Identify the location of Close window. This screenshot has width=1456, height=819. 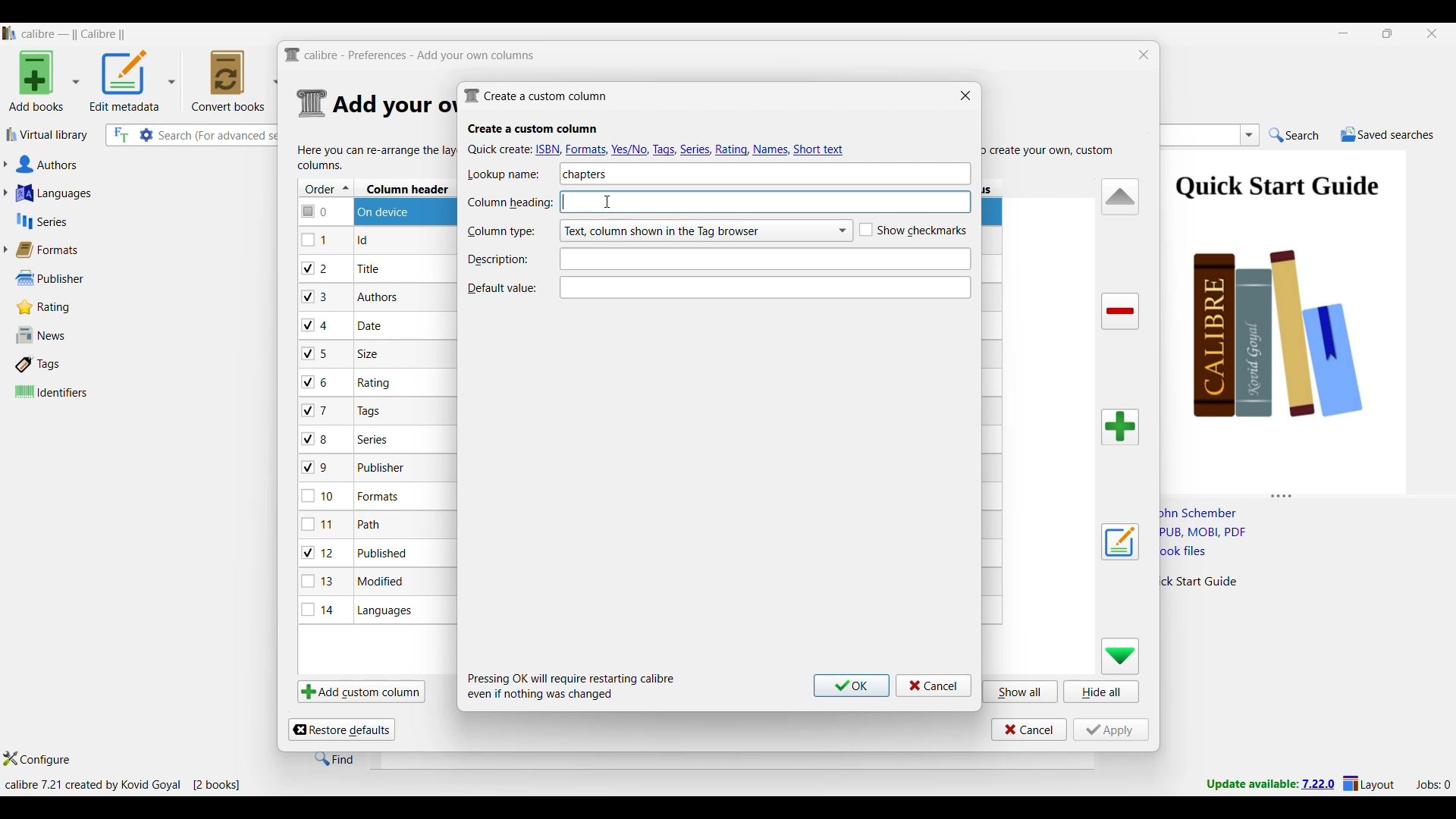
(965, 95).